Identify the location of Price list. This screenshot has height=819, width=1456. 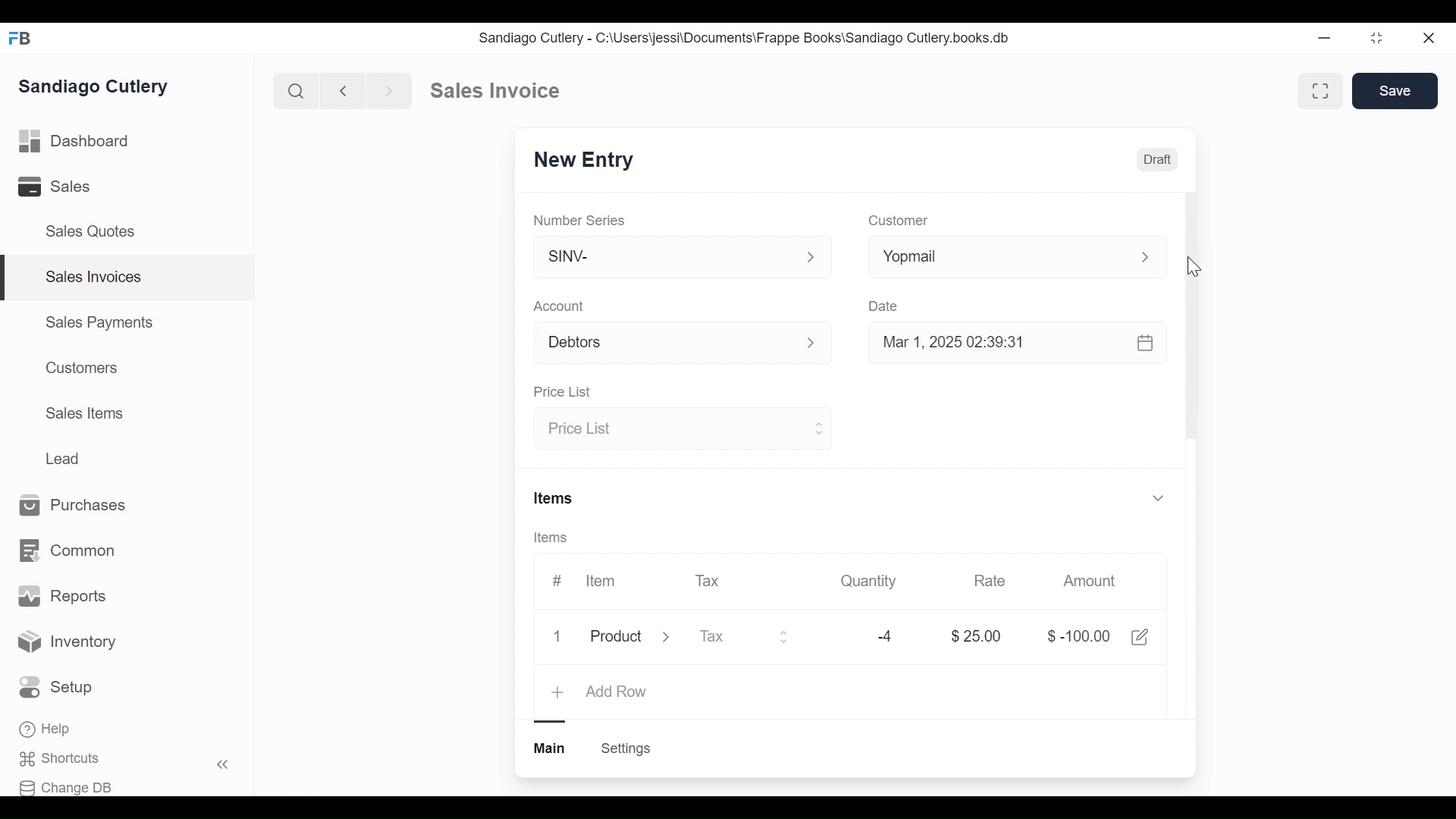
(686, 426).